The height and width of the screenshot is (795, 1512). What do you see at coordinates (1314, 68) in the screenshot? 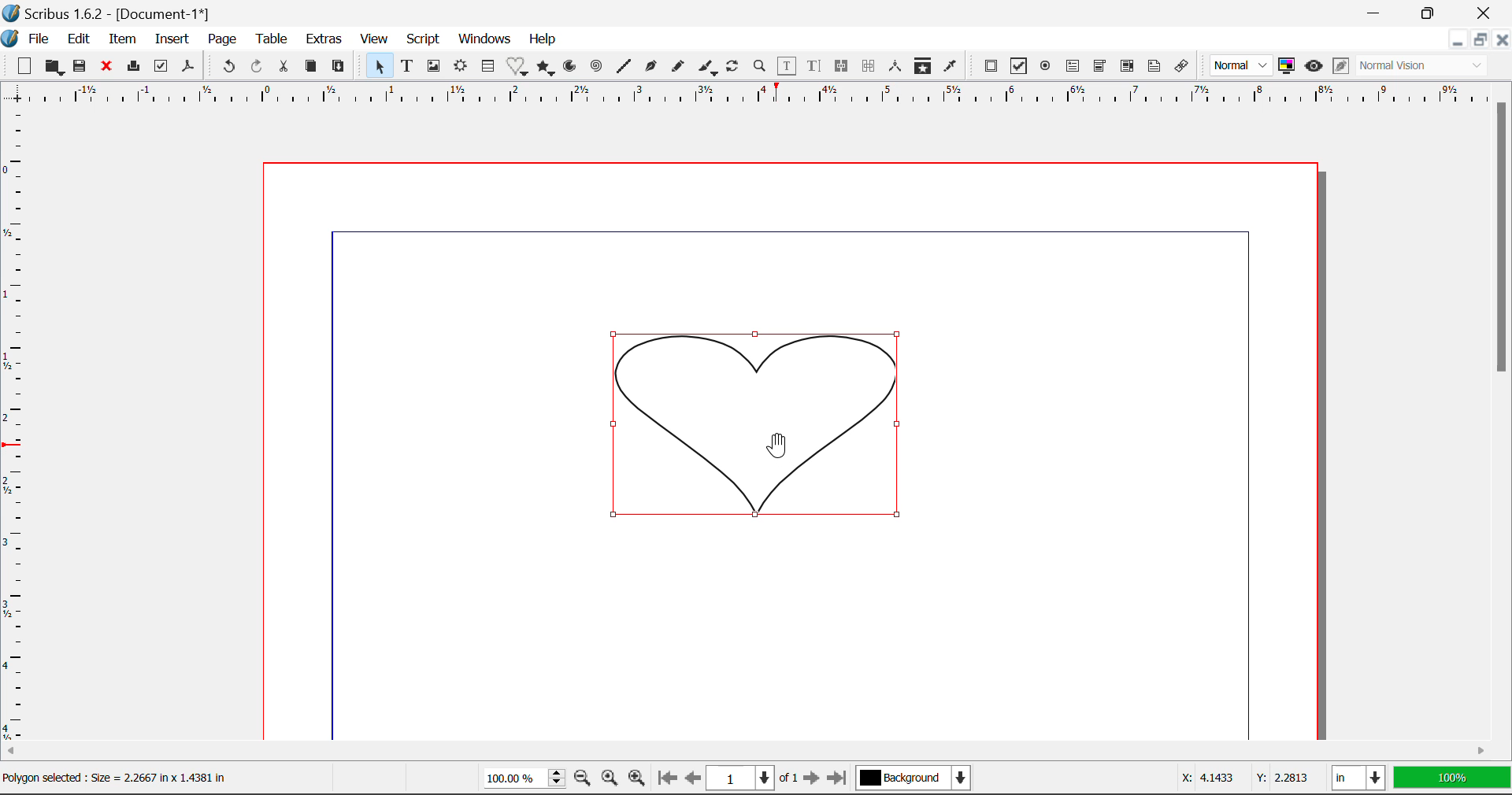
I see `Preview Mode` at bounding box center [1314, 68].